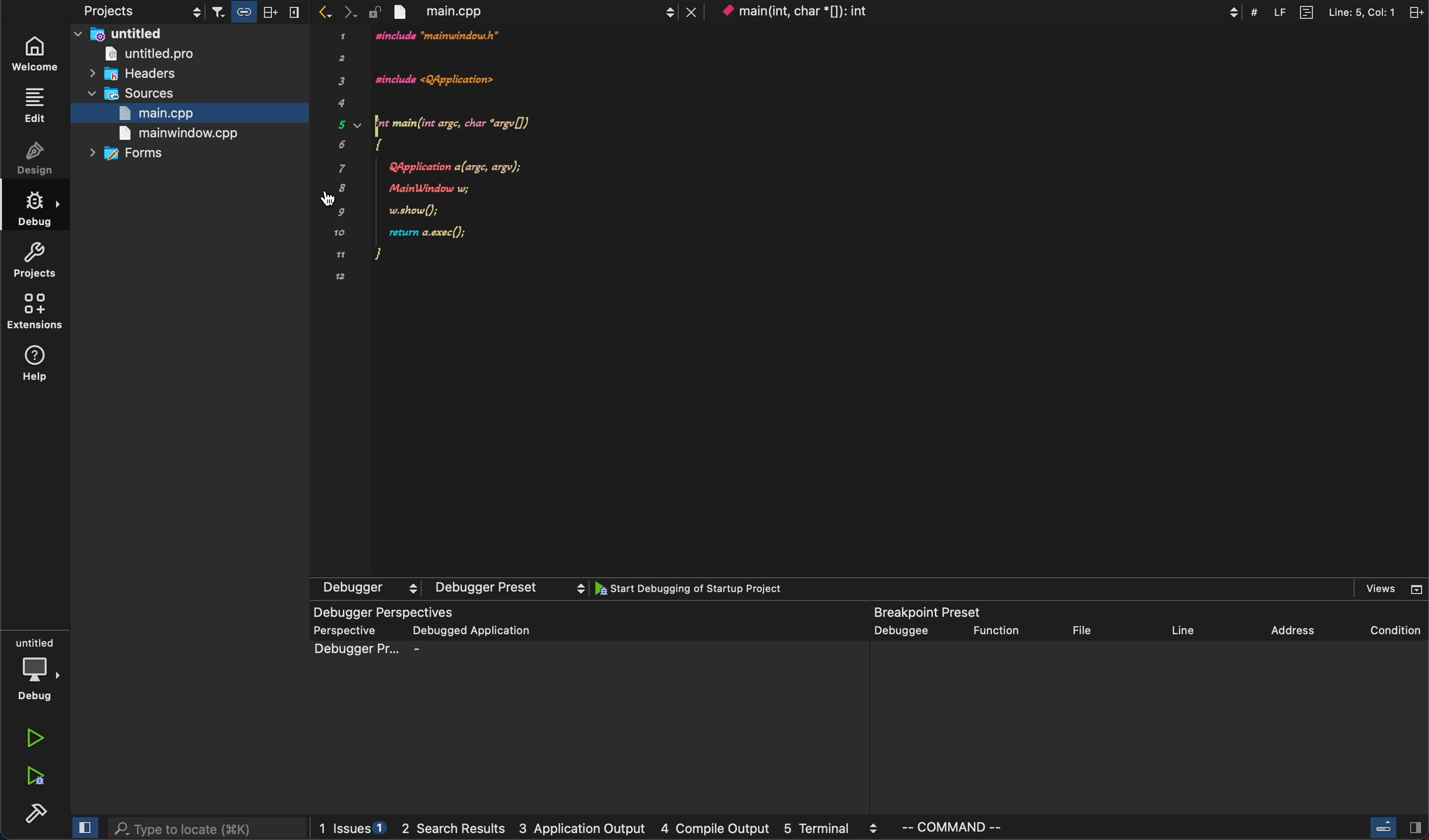 The height and width of the screenshot is (840, 1429). I want to click on issues, so click(352, 827).